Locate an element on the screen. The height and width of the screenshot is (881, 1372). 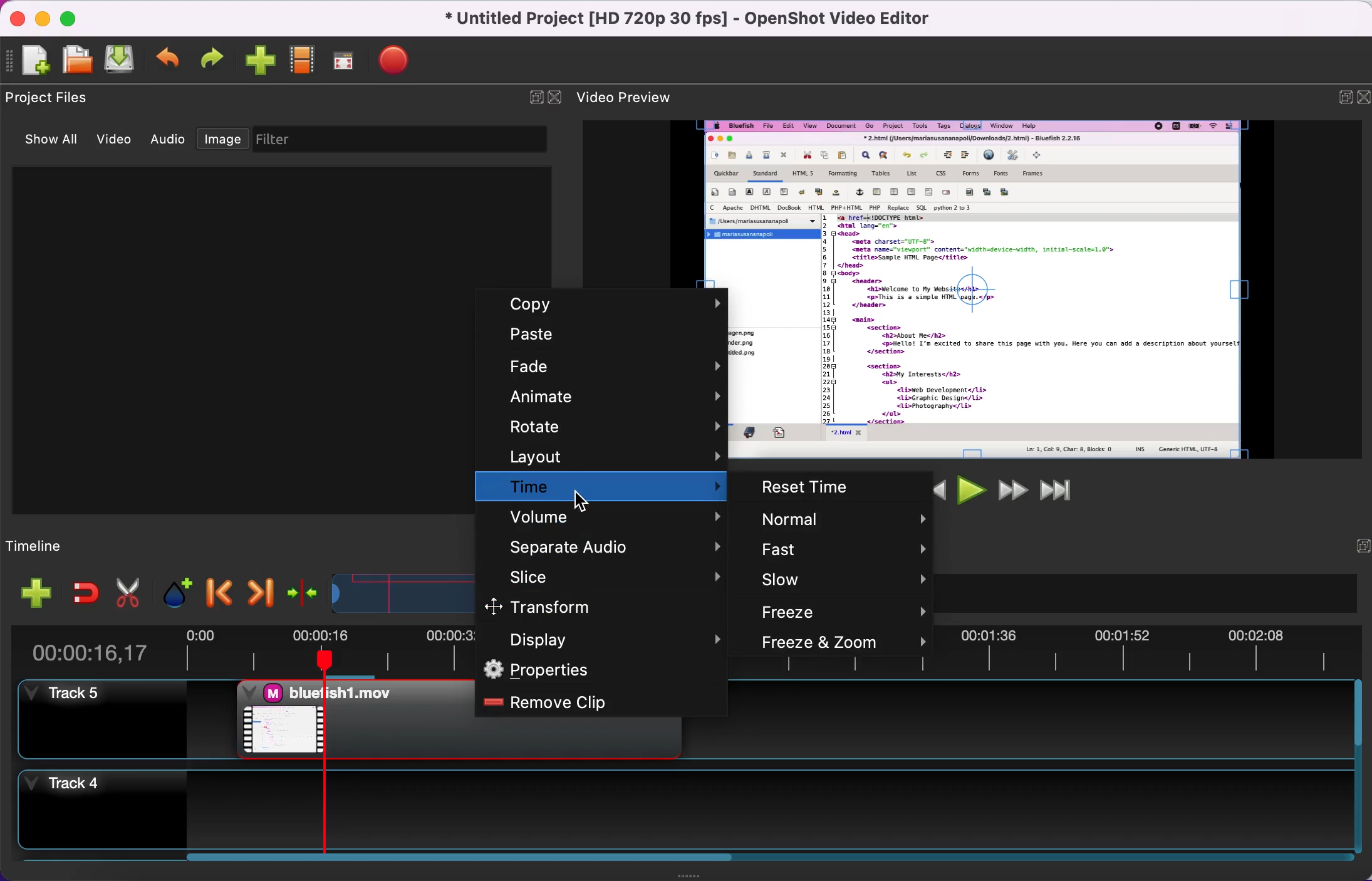
audio is located at coordinates (172, 141).